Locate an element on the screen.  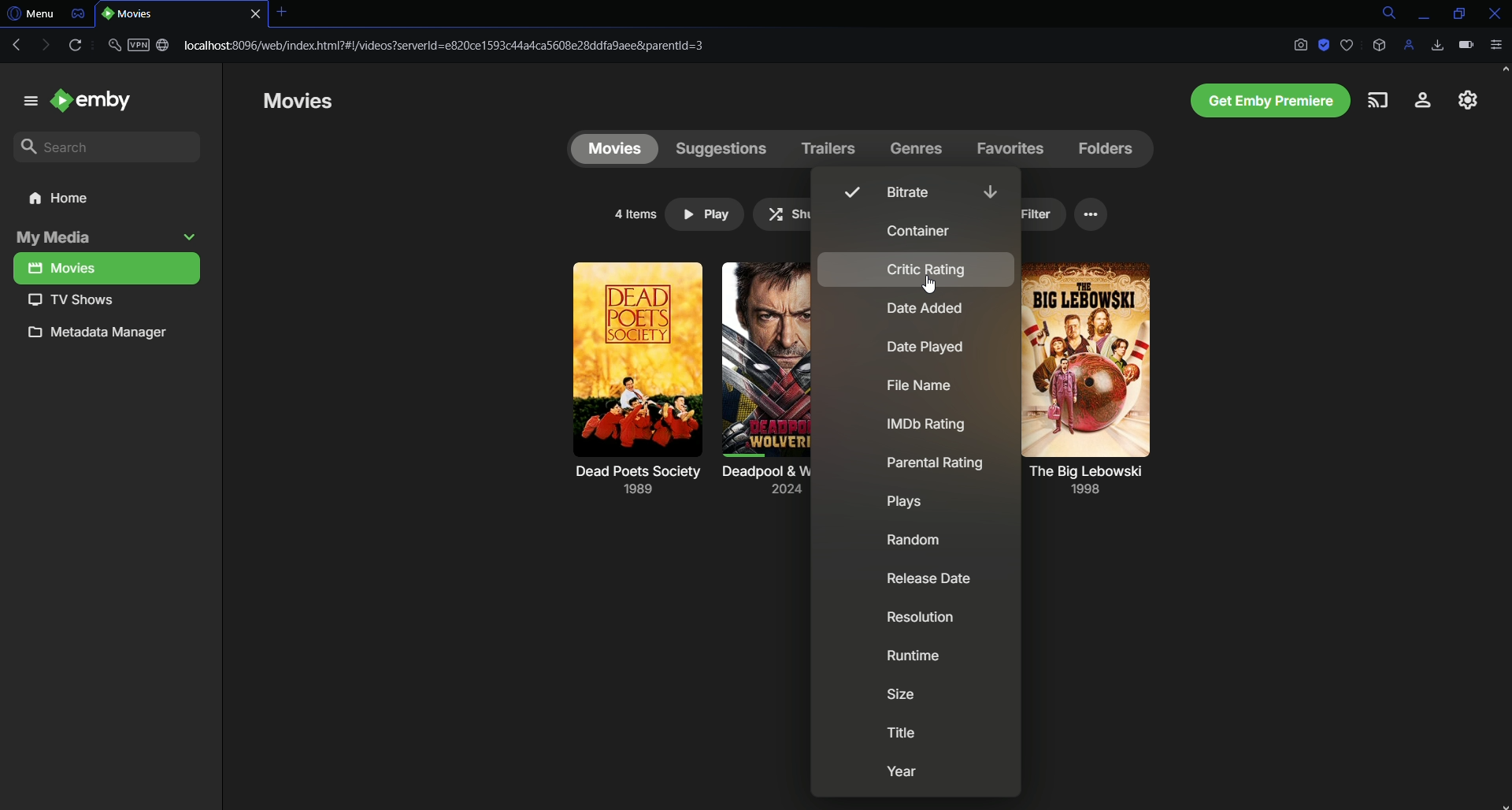
Profile is located at coordinates (1410, 46).